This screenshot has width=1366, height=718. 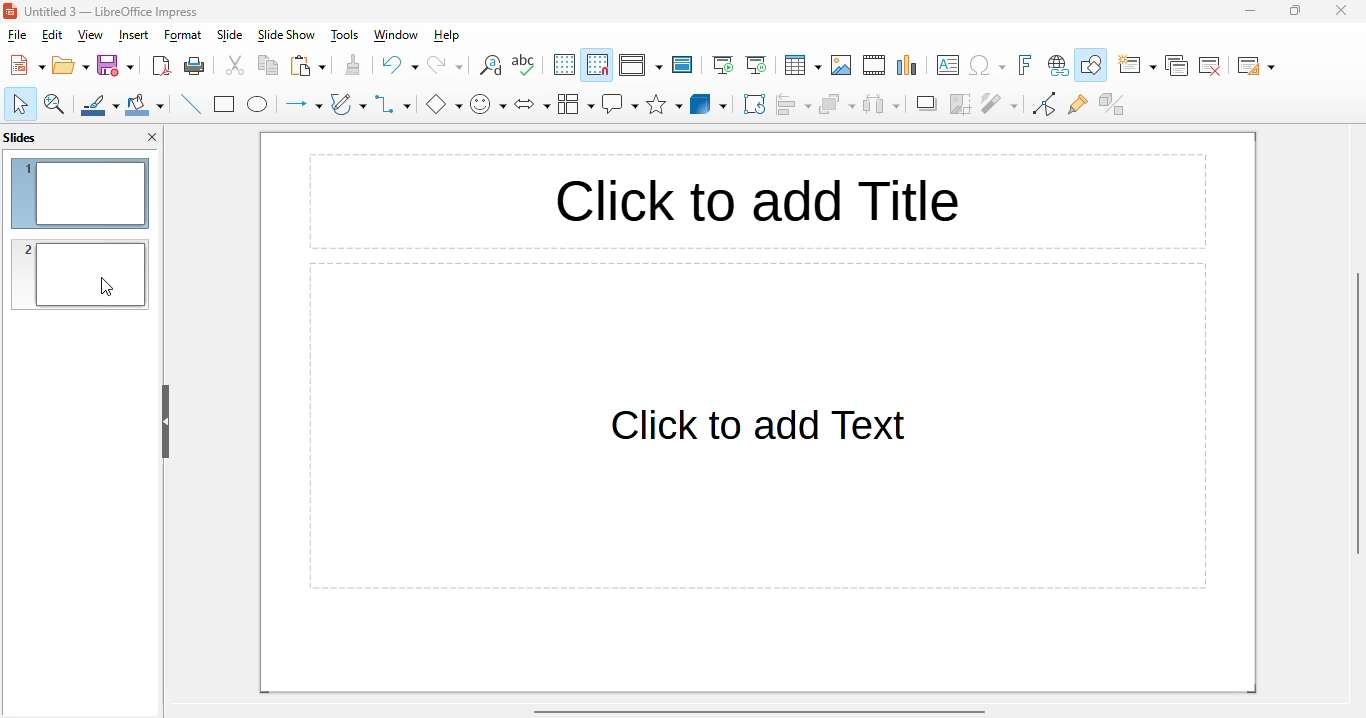 I want to click on start from first slide, so click(x=724, y=65).